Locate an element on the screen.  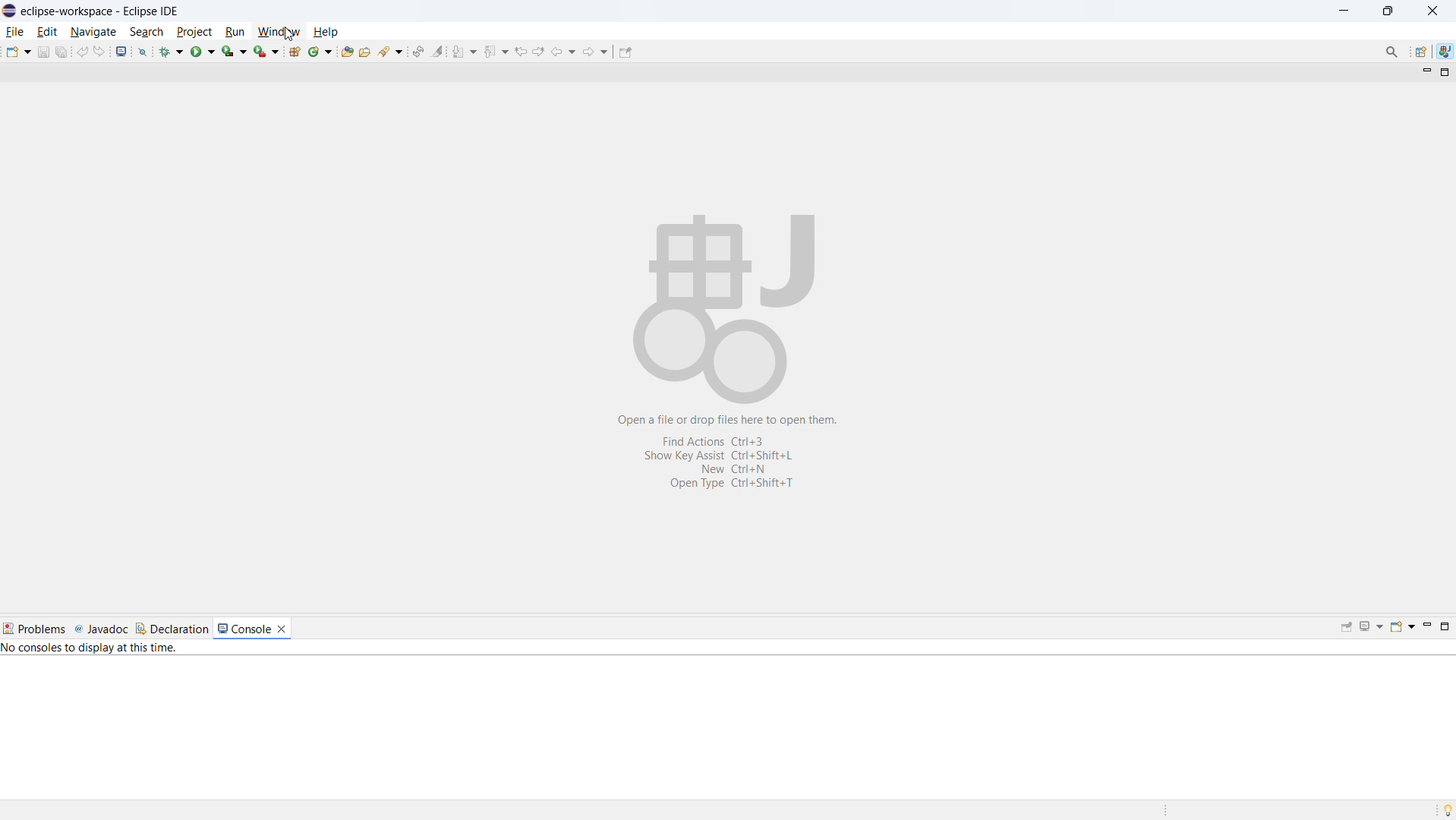
run is located at coordinates (235, 30).